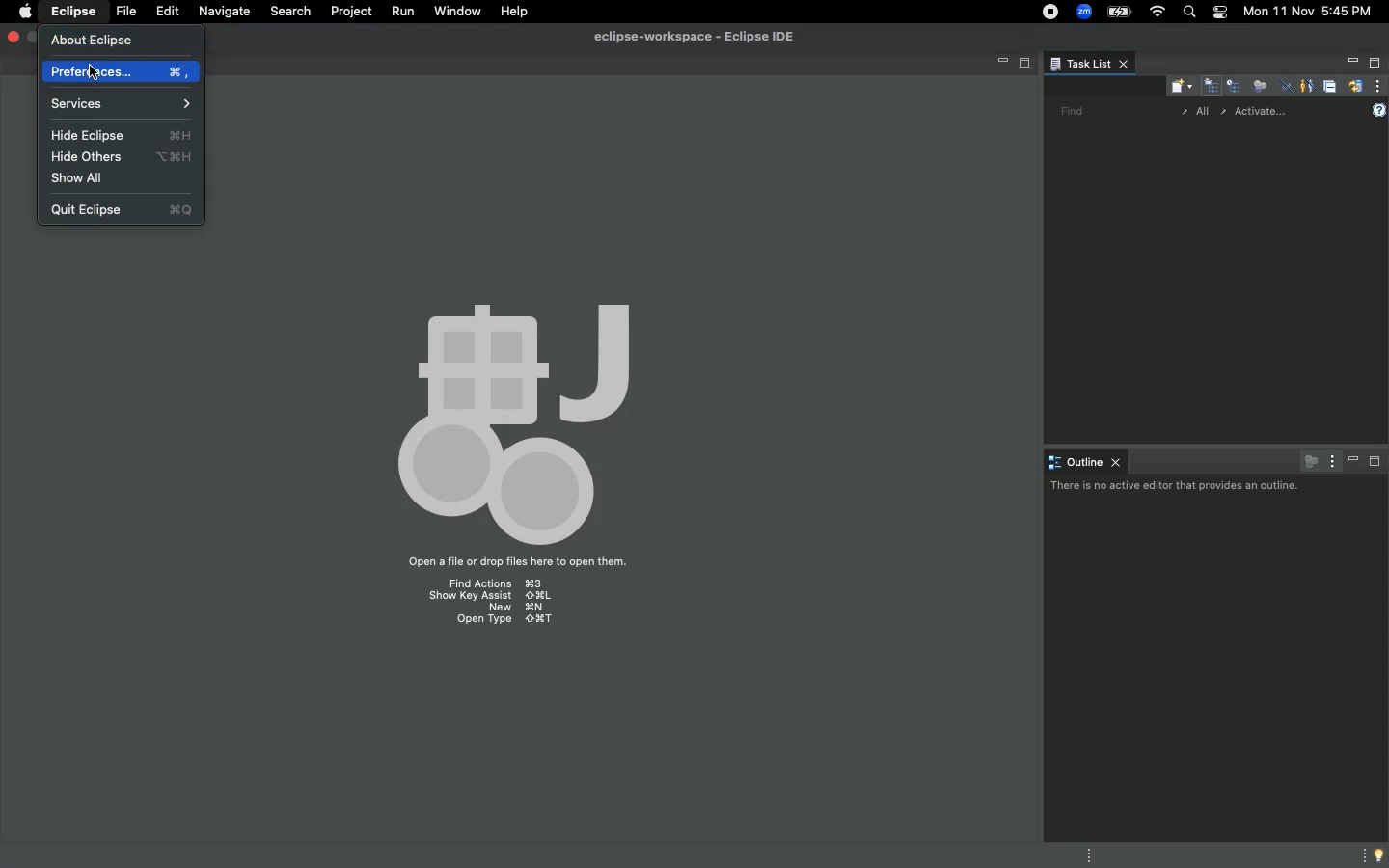  I want to click on Recording, so click(1047, 12).